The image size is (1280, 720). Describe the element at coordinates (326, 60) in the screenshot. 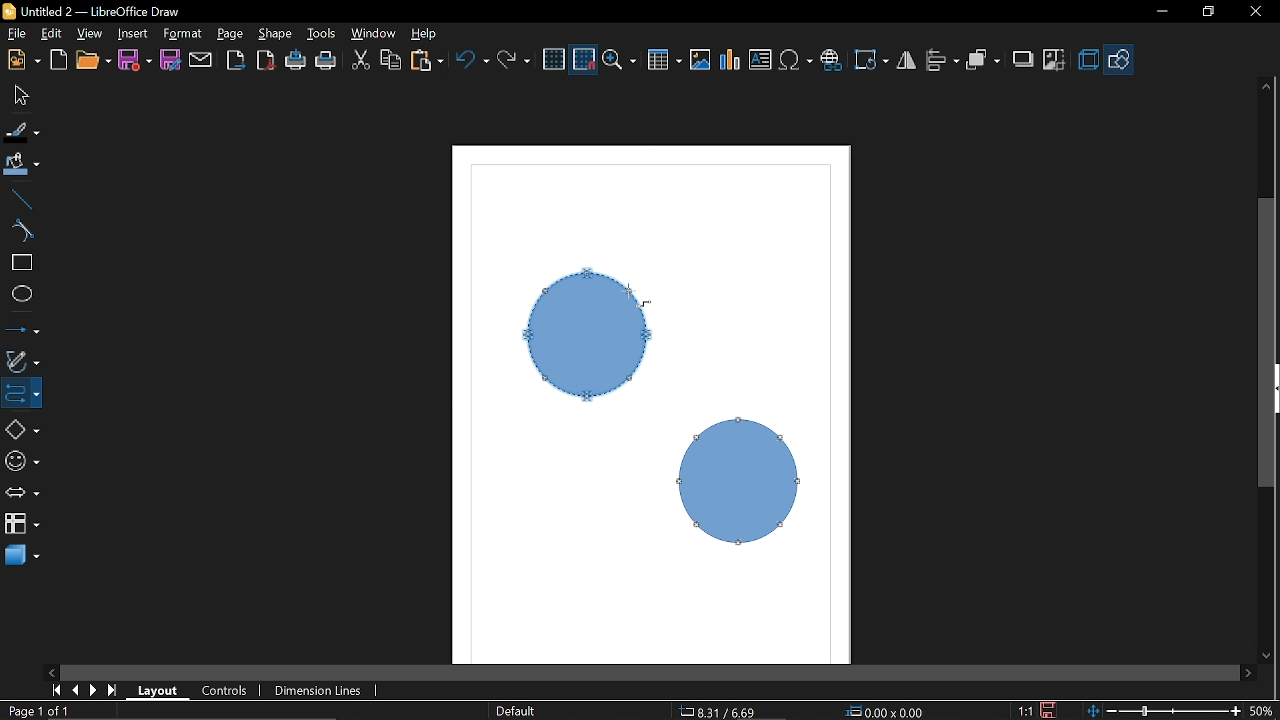

I see `Print` at that location.